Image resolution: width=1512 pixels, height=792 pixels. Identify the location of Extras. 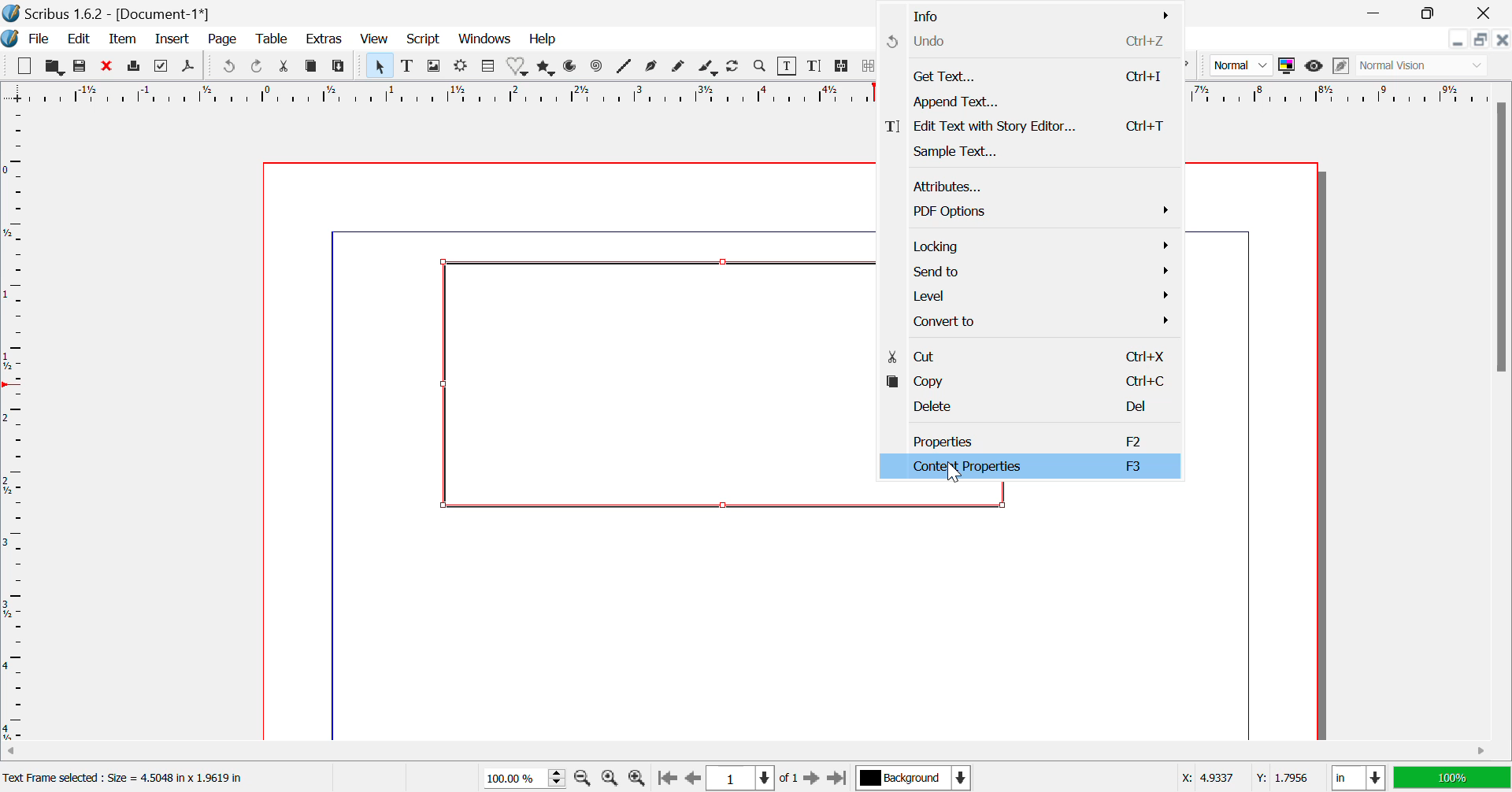
(323, 39).